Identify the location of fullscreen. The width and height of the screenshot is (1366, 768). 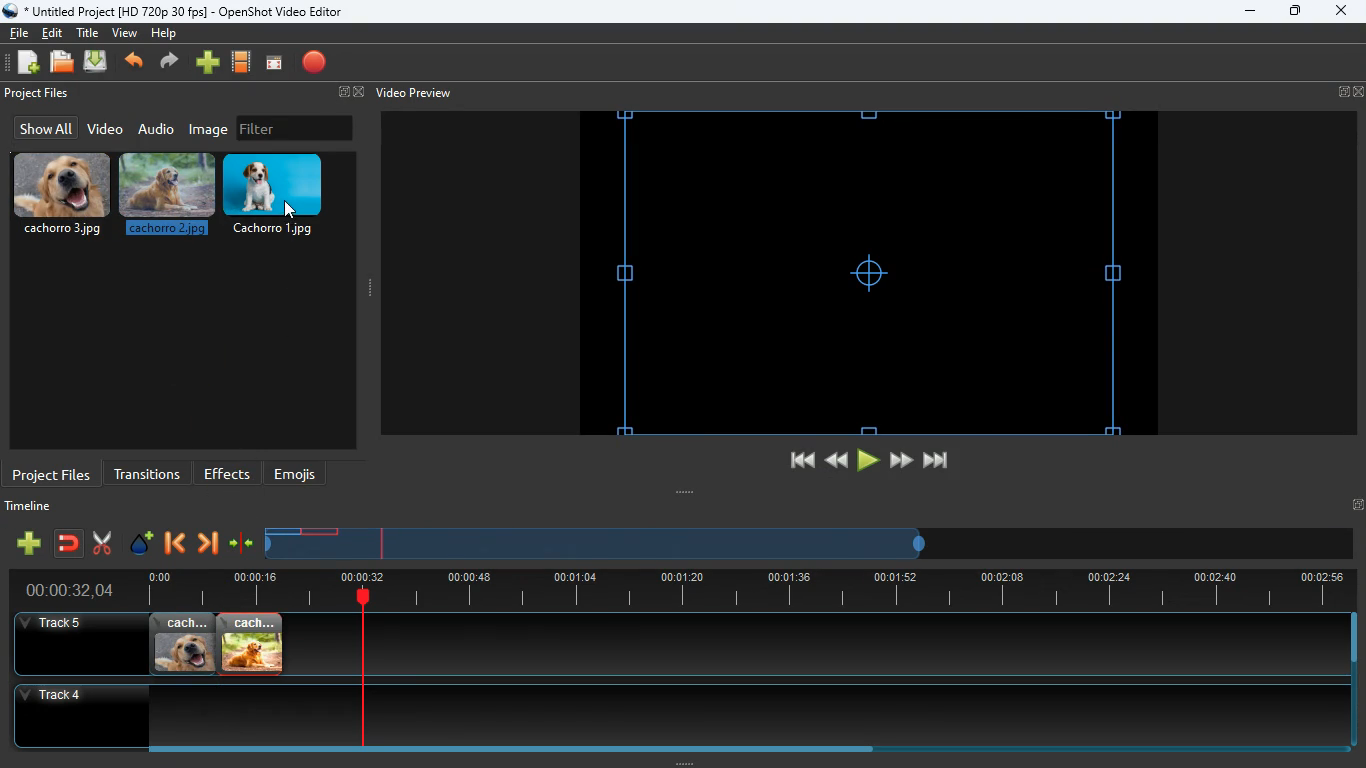
(1351, 92).